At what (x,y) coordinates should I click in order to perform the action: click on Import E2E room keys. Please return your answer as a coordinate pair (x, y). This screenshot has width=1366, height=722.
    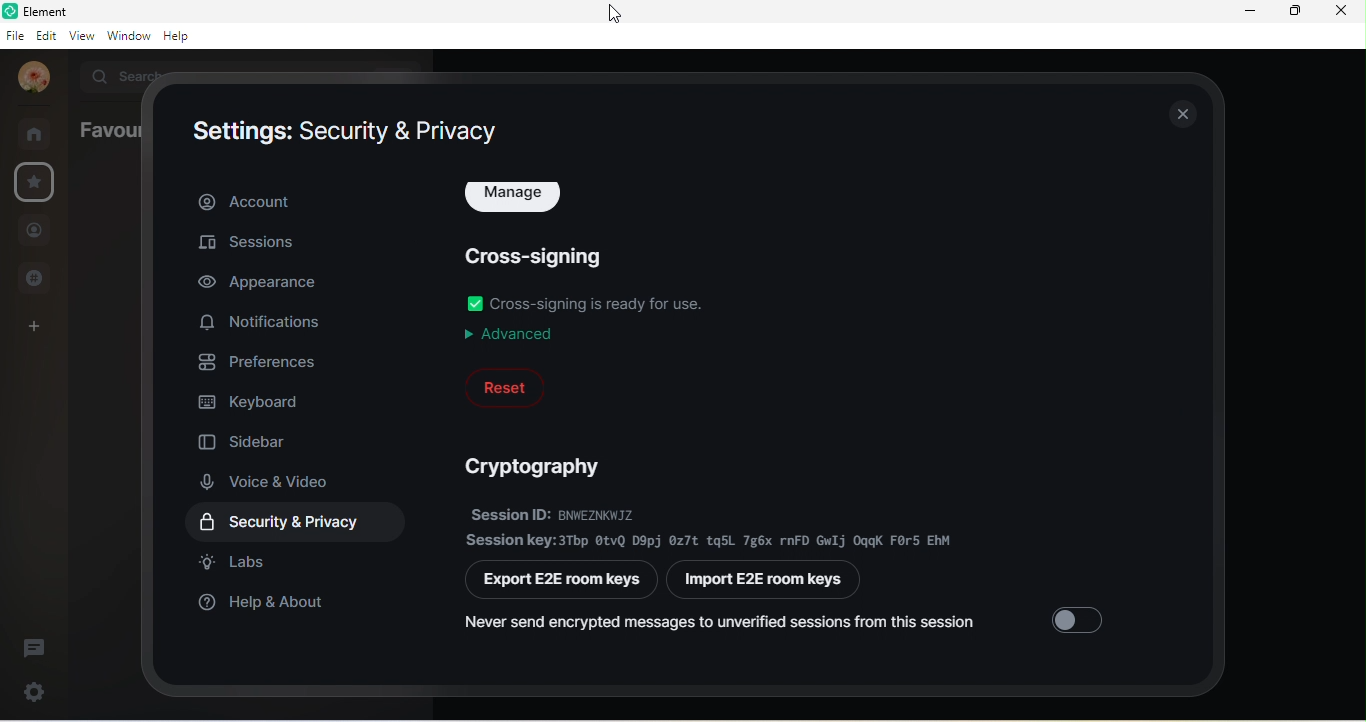
    Looking at the image, I should click on (765, 579).